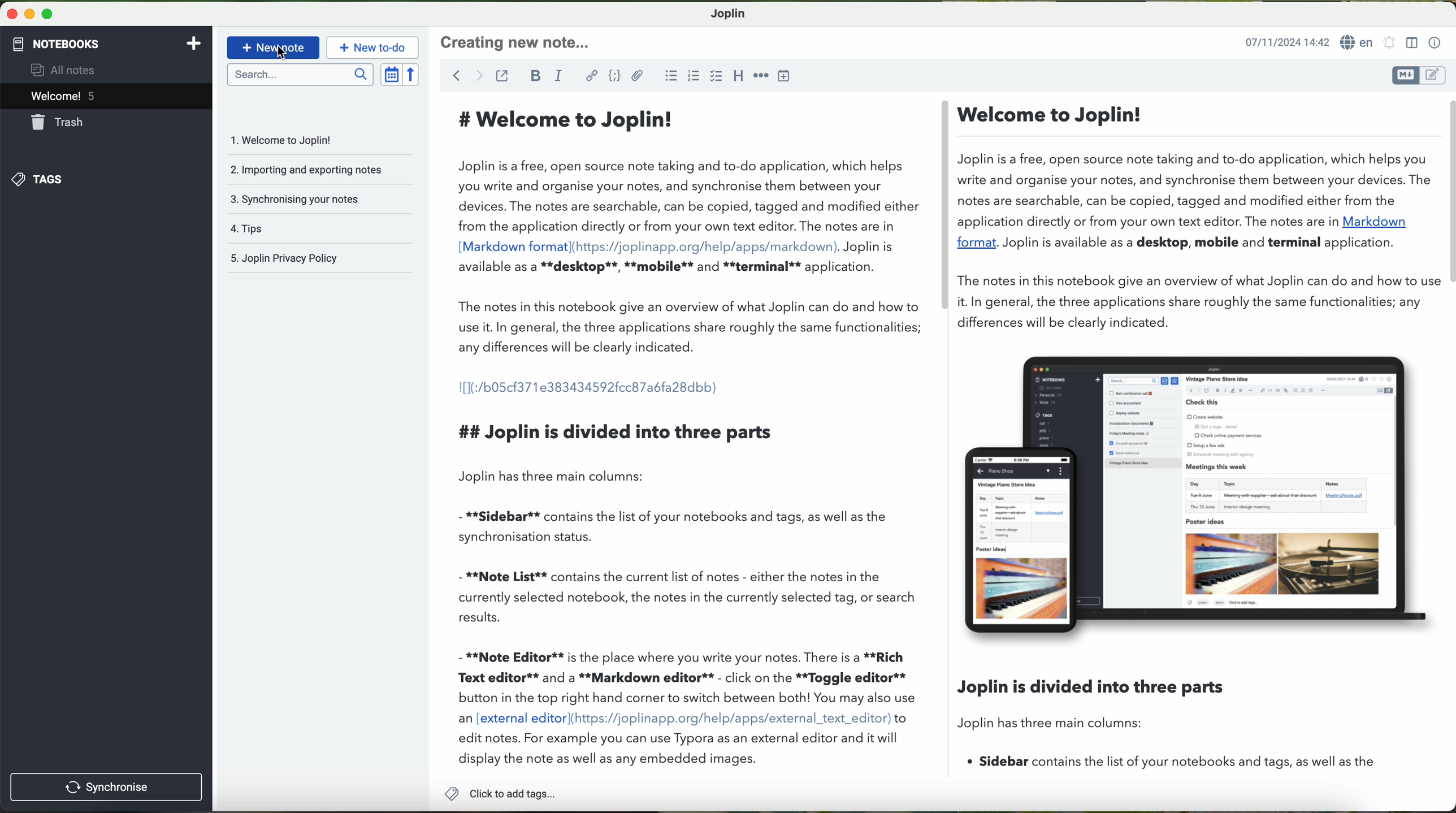  Describe the element at coordinates (591, 77) in the screenshot. I see `hyperlink` at that location.